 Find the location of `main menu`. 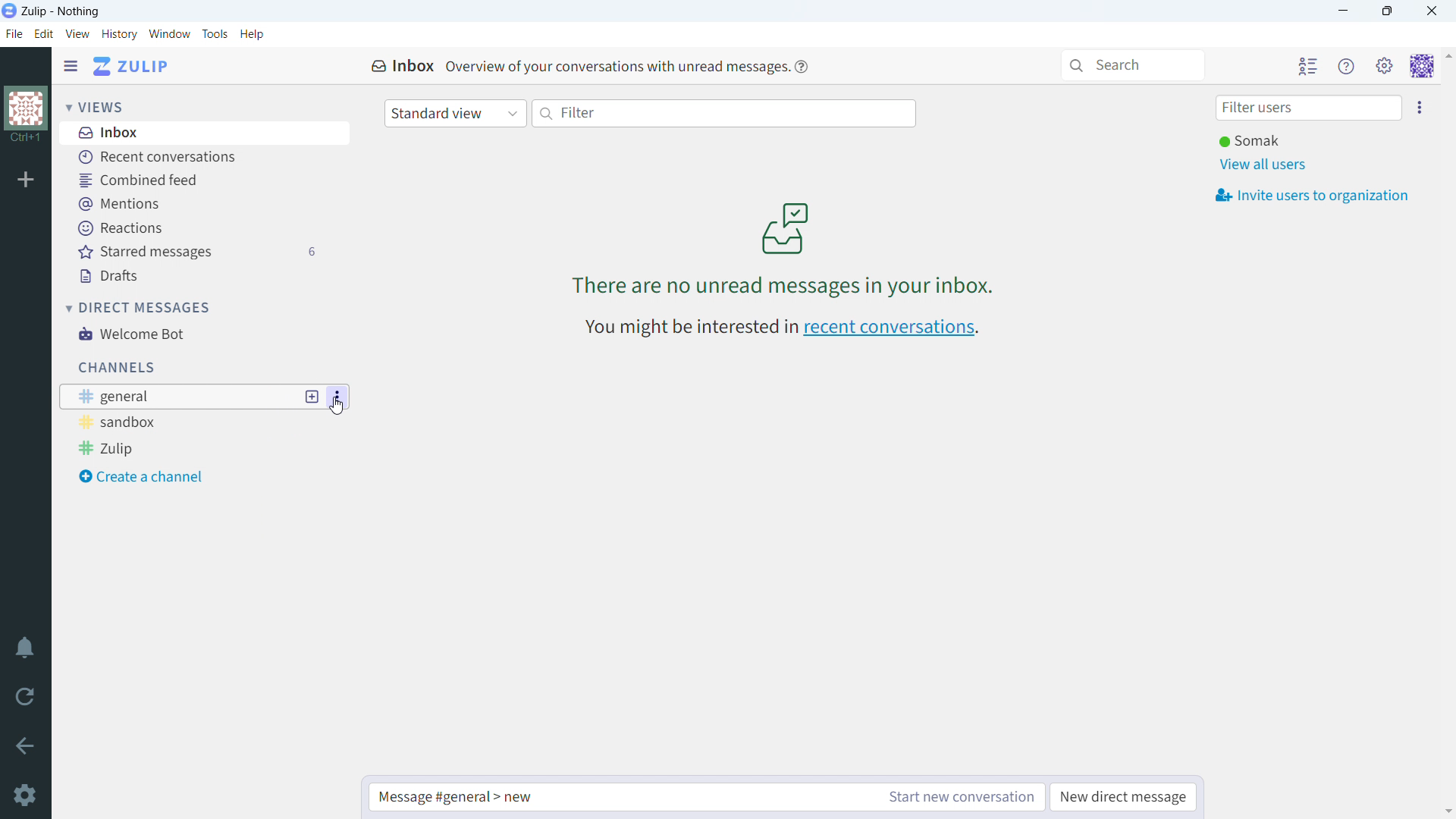

main menu is located at coordinates (1385, 67).